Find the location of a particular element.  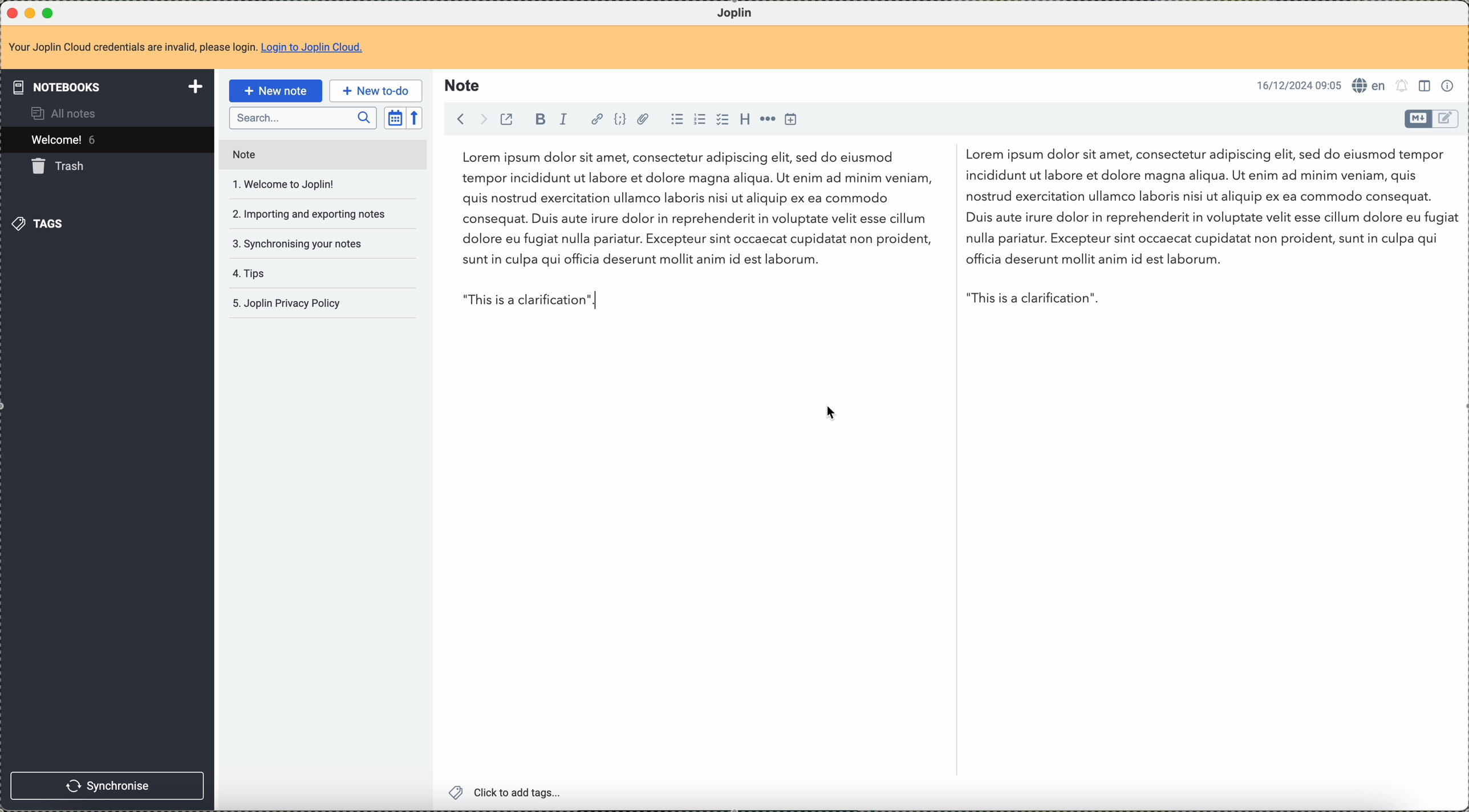

attach file is located at coordinates (644, 119).